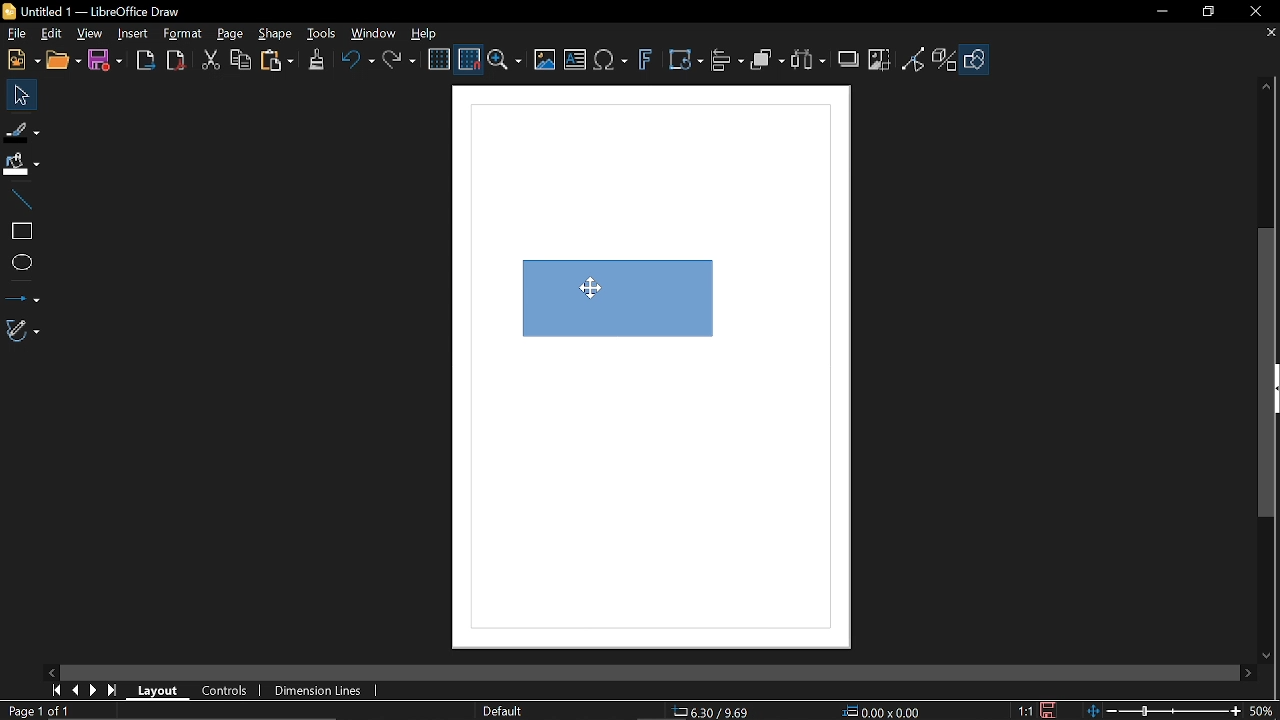 This screenshot has width=1280, height=720. I want to click on Copy, so click(239, 63).